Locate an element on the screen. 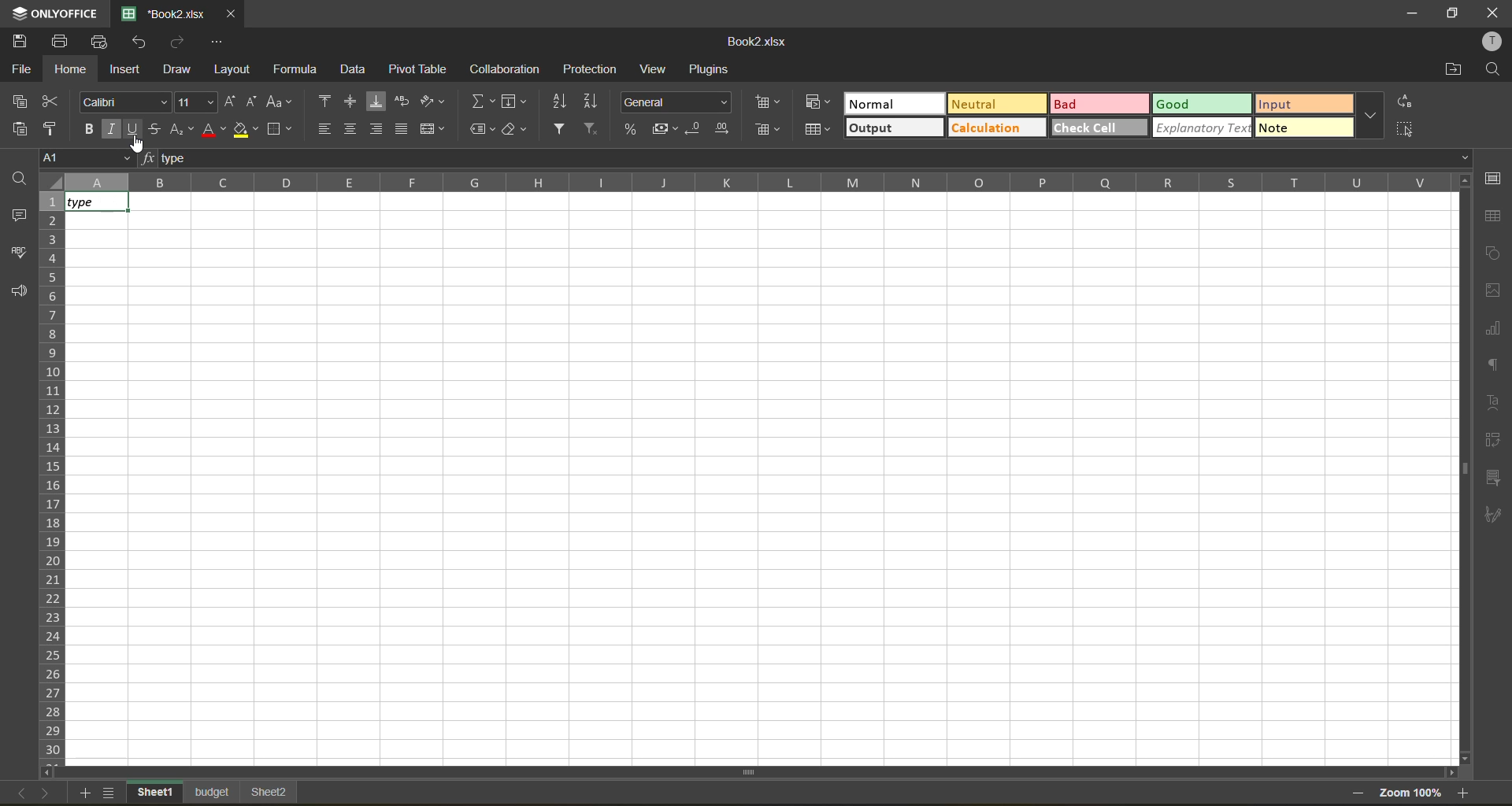 This screenshot has height=806, width=1512. home is located at coordinates (70, 70).